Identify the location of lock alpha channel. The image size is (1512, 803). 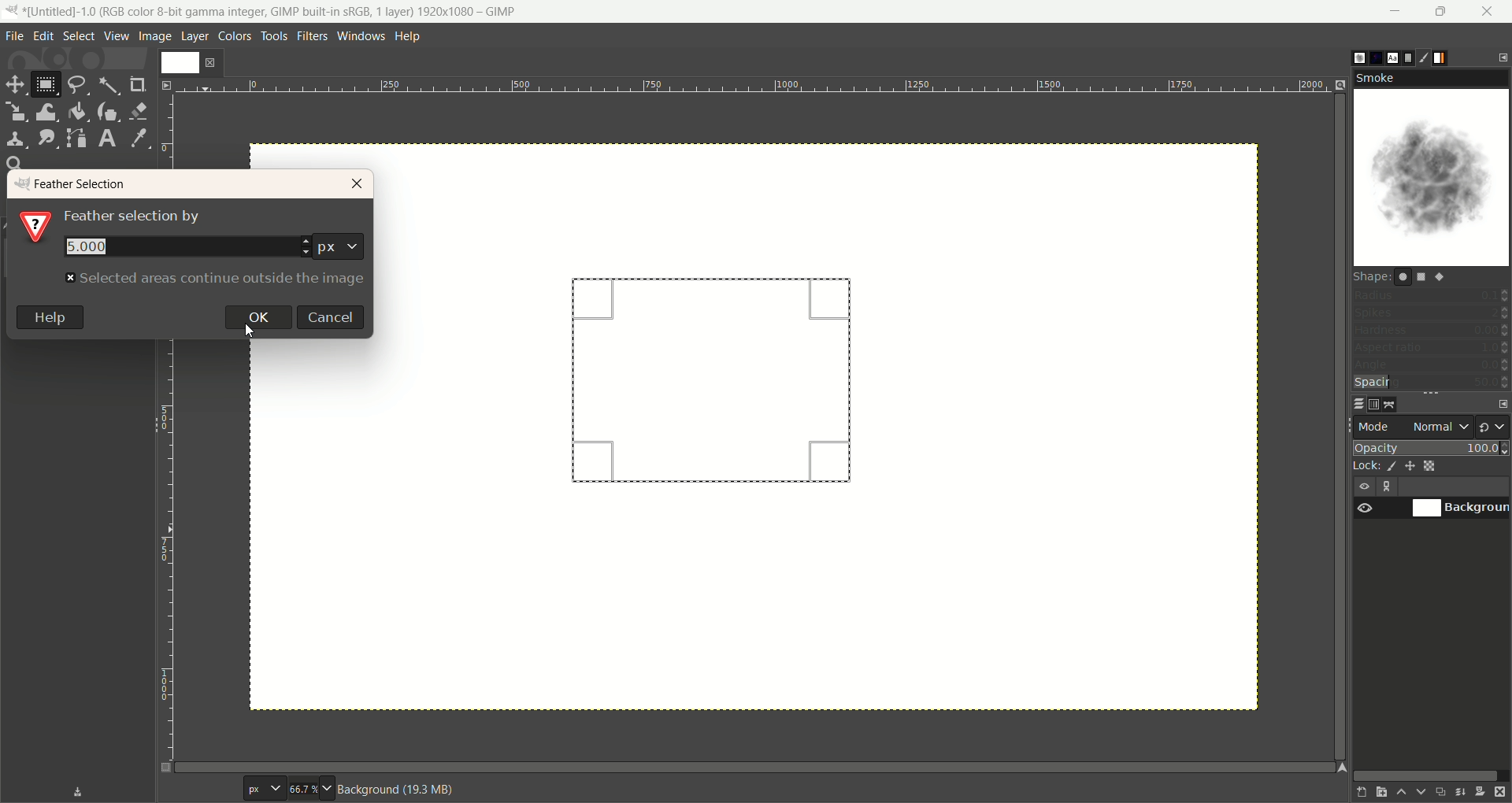
(1429, 466).